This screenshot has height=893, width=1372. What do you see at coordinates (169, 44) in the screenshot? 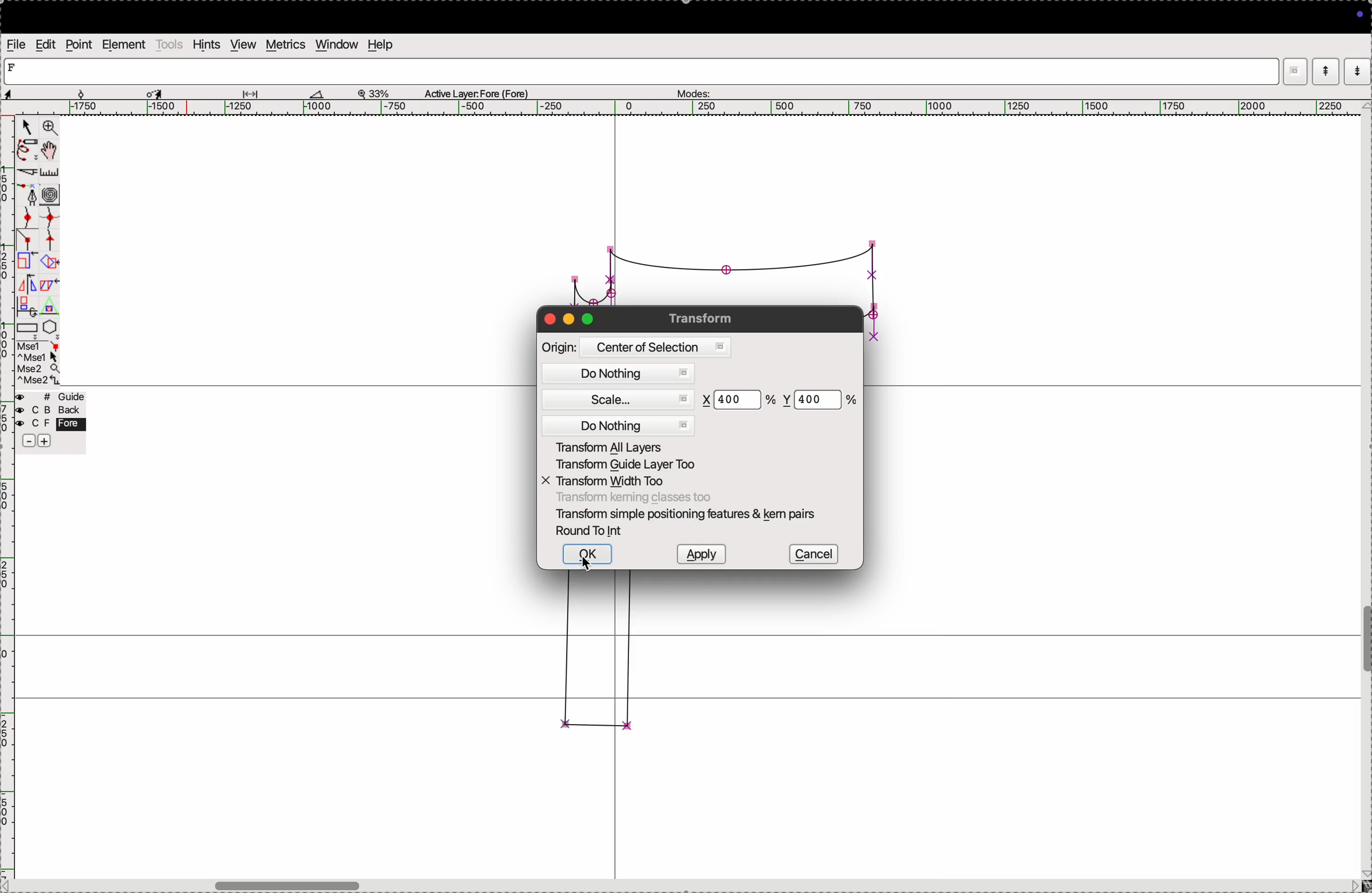
I see `tools` at bounding box center [169, 44].